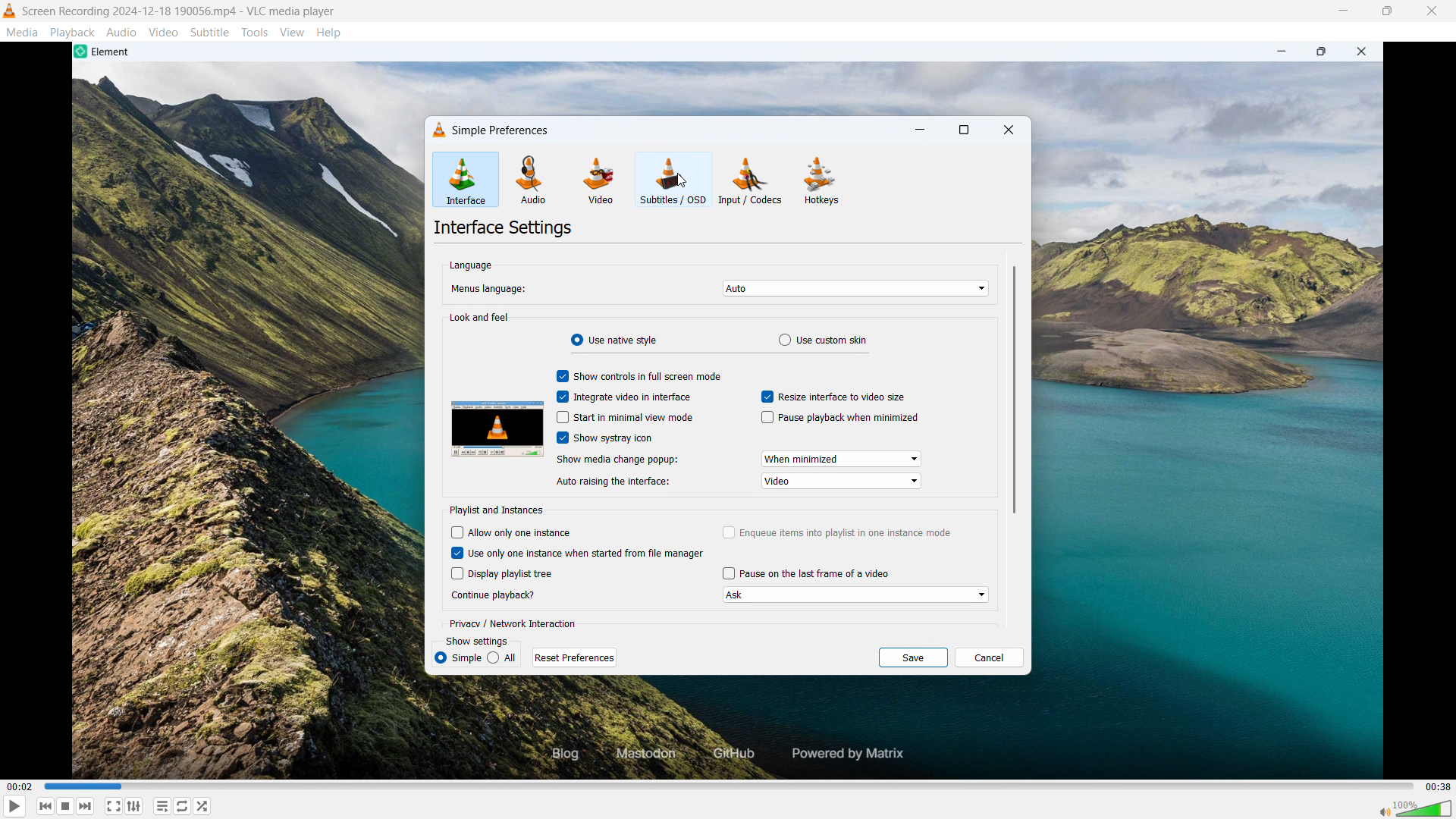 The width and height of the screenshot is (1456, 819). I want to click on hotkeys, so click(822, 180).